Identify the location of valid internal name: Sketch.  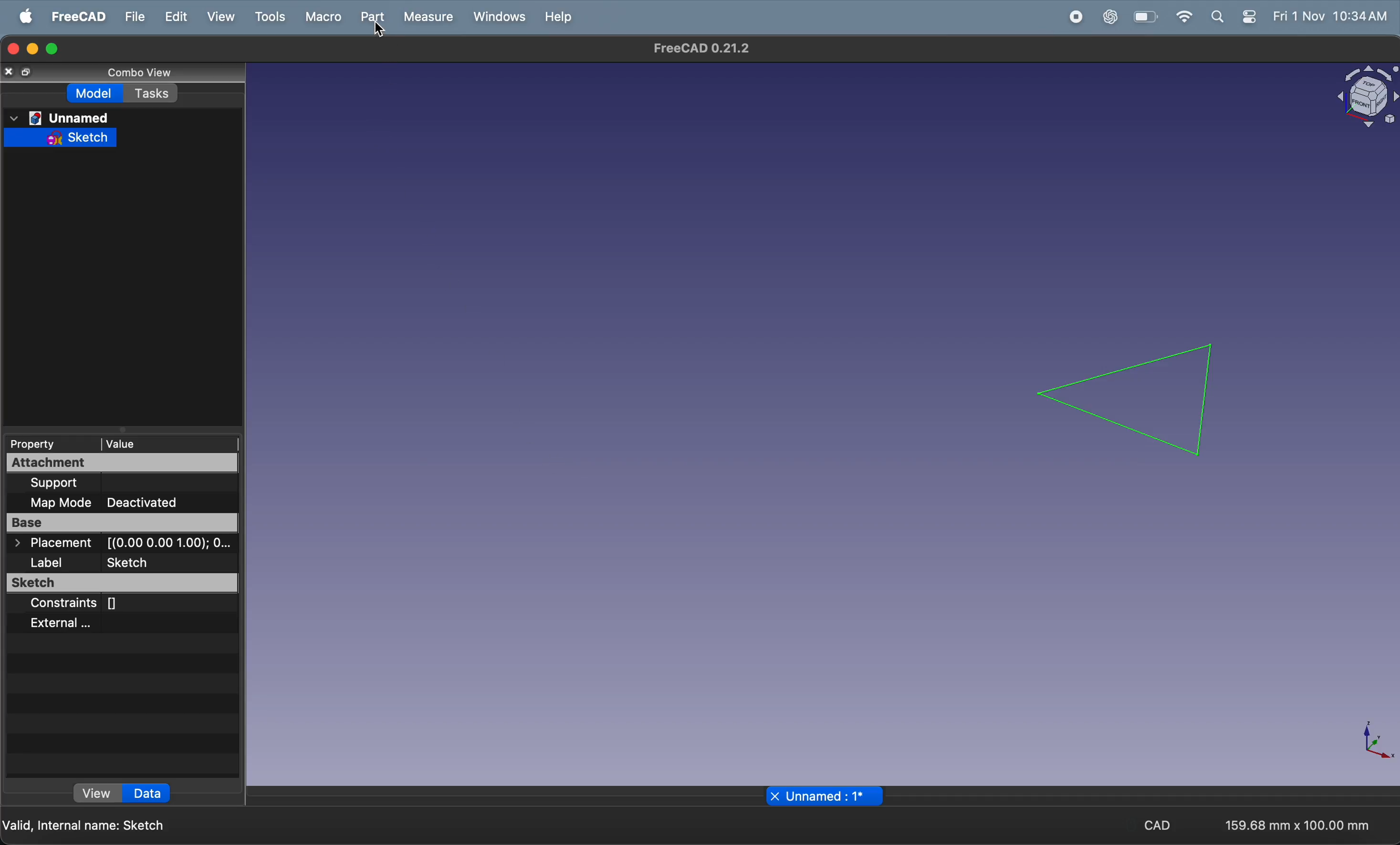
(86, 825).